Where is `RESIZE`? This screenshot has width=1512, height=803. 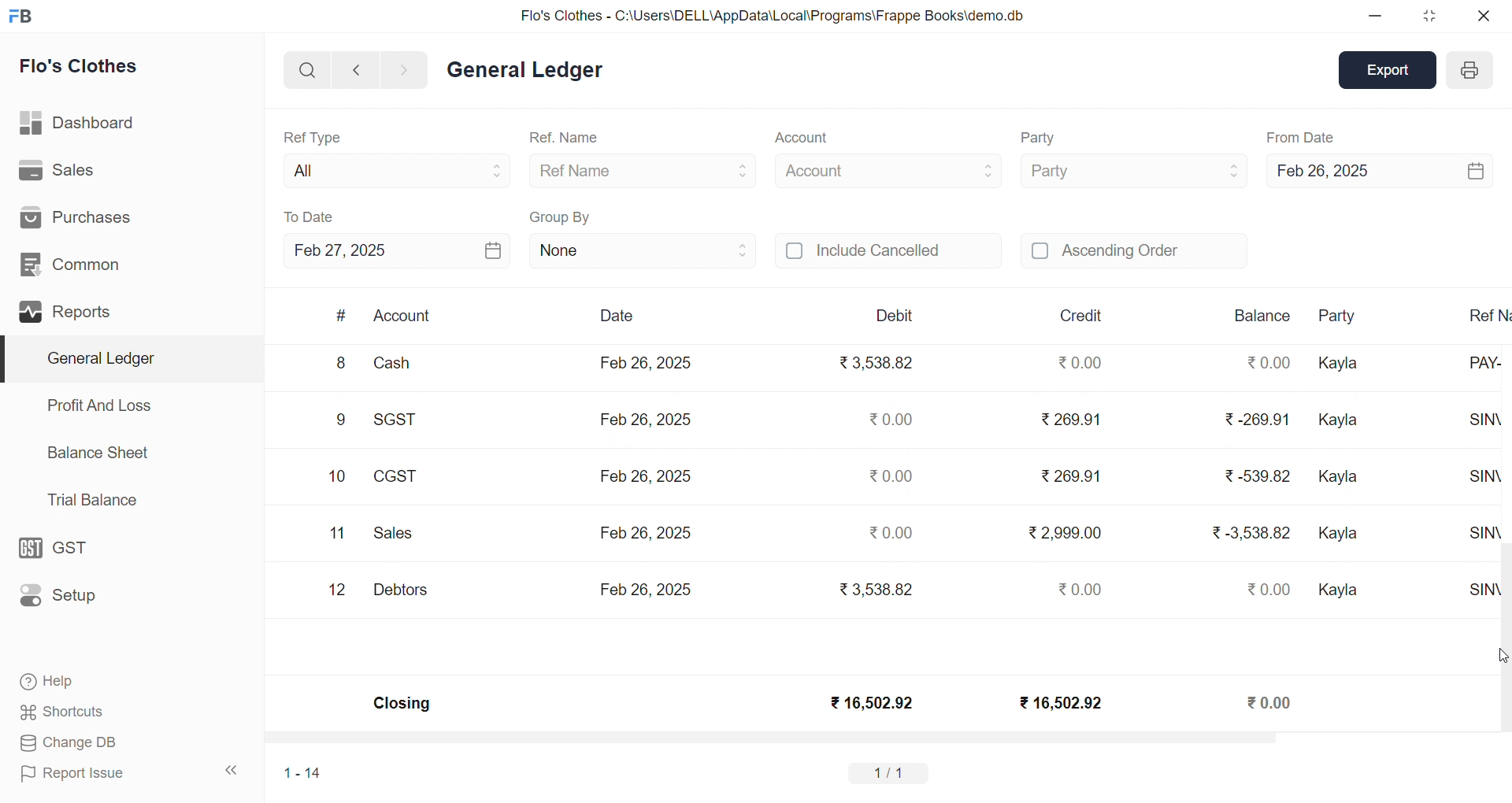 RESIZE is located at coordinates (1426, 16).